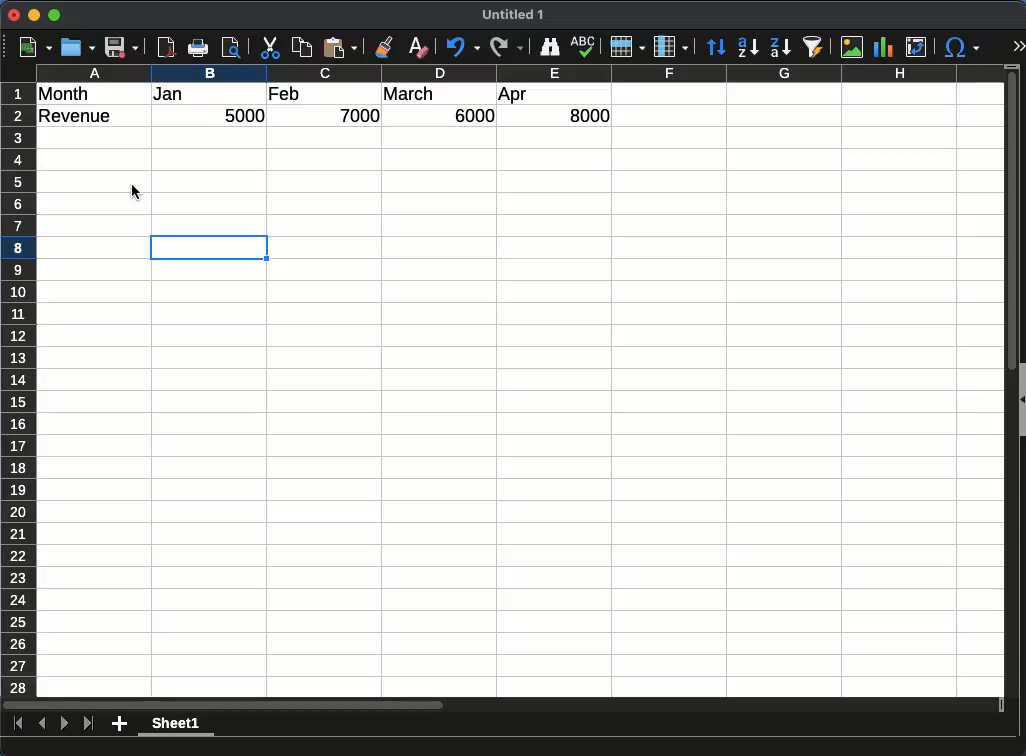 Image resolution: width=1026 pixels, height=756 pixels. What do you see at coordinates (42, 723) in the screenshot?
I see `previous sheet` at bounding box center [42, 723].